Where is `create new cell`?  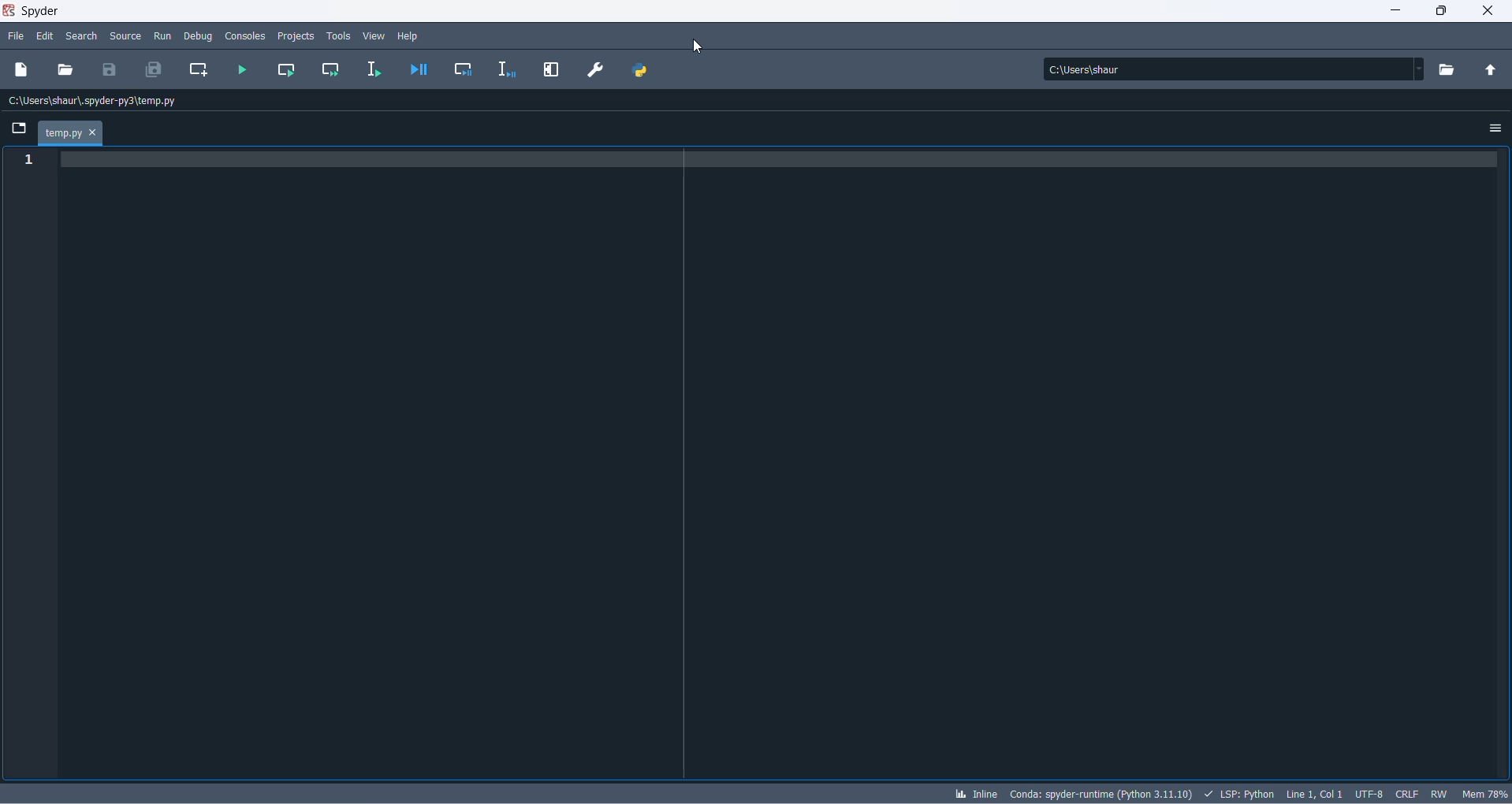 create new cell is located at coordinates (196, 70).